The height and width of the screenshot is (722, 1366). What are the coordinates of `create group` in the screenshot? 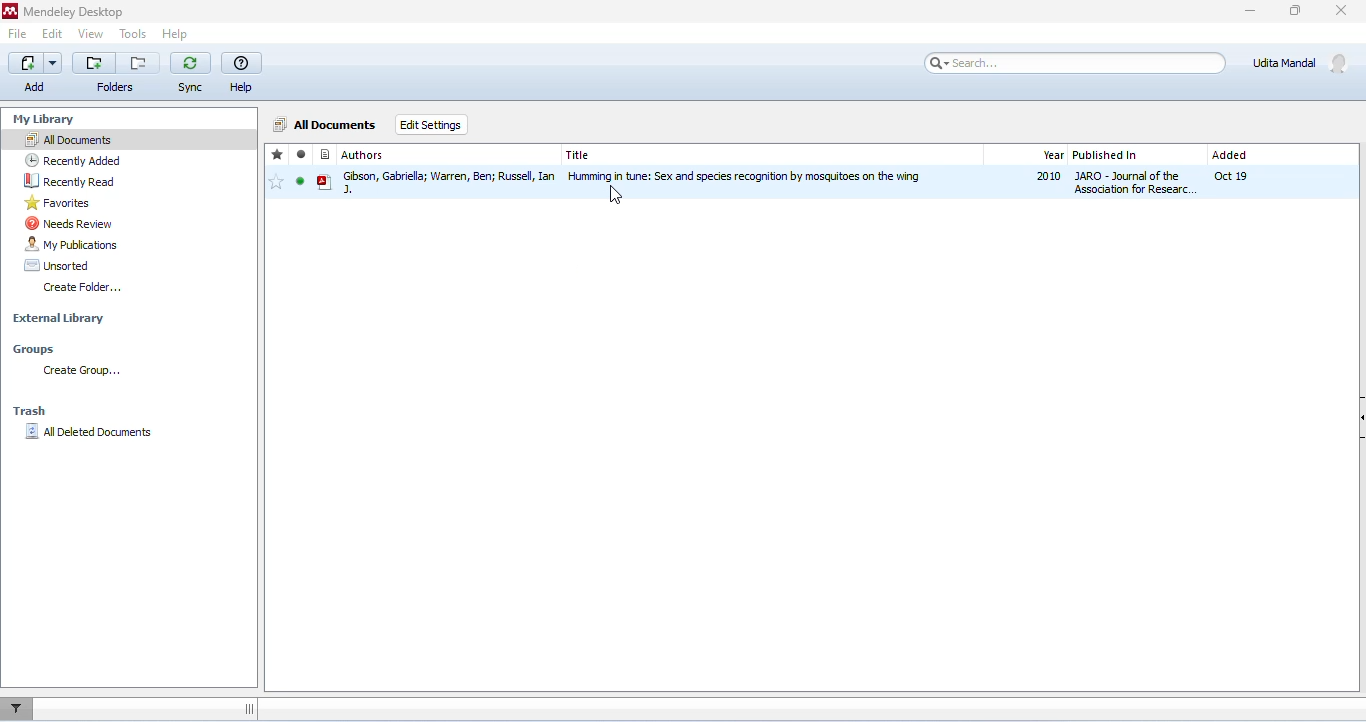 It's located at (81, 372).